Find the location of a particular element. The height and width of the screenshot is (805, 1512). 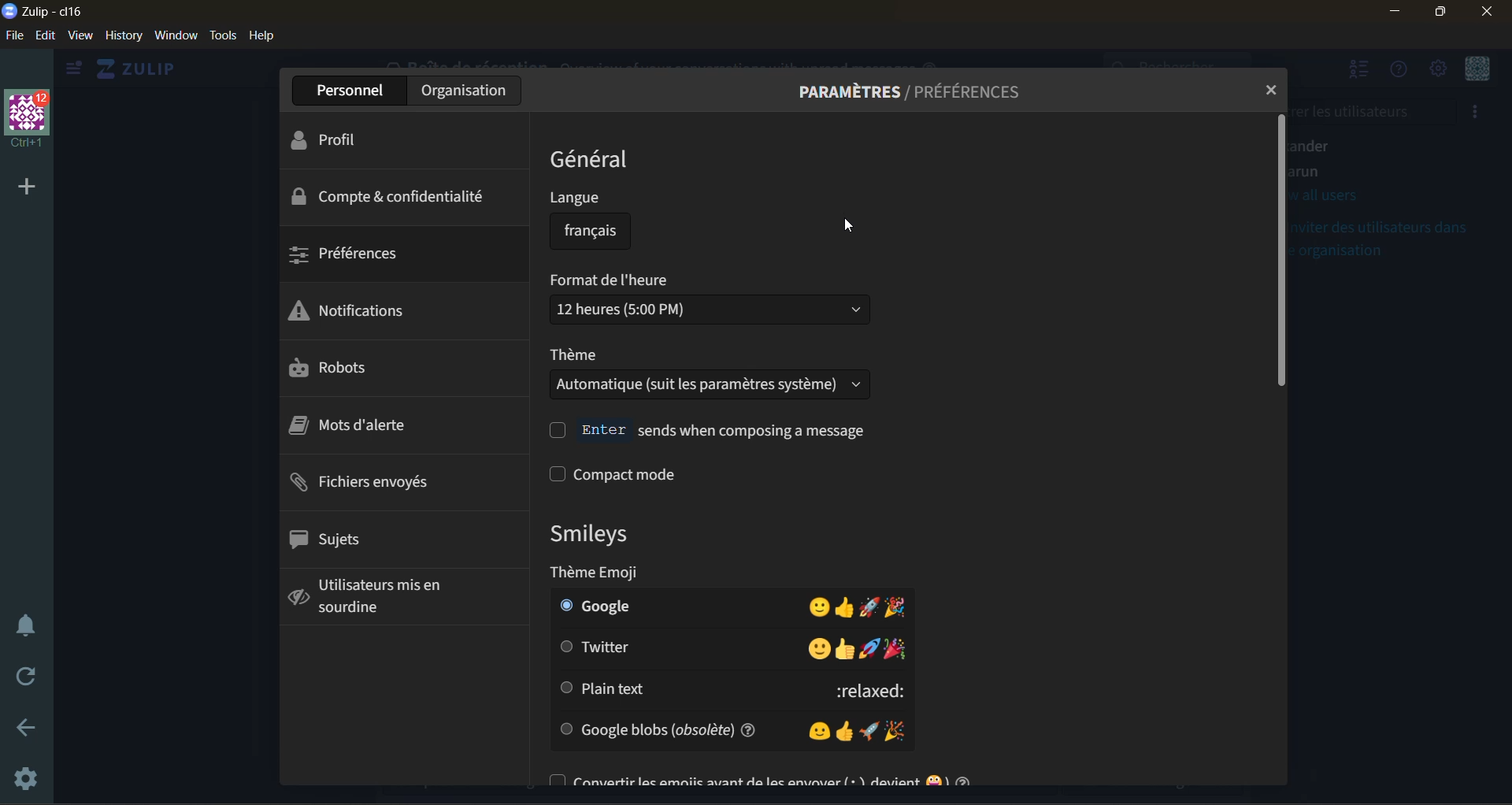

language is located at coordinates (591, 202).